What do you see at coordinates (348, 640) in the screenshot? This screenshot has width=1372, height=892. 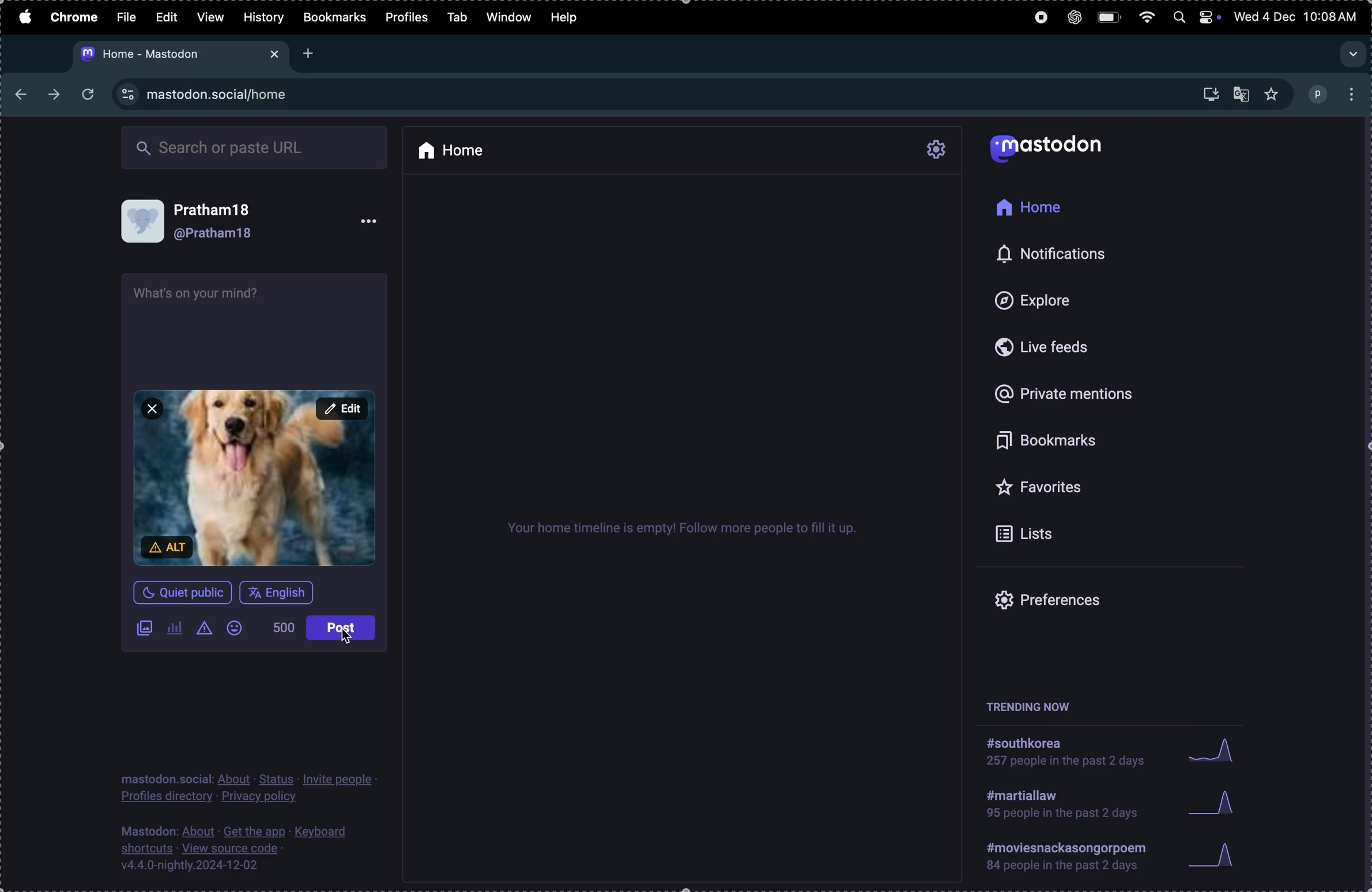 I see `cursor` at bounding box center [348, 640].